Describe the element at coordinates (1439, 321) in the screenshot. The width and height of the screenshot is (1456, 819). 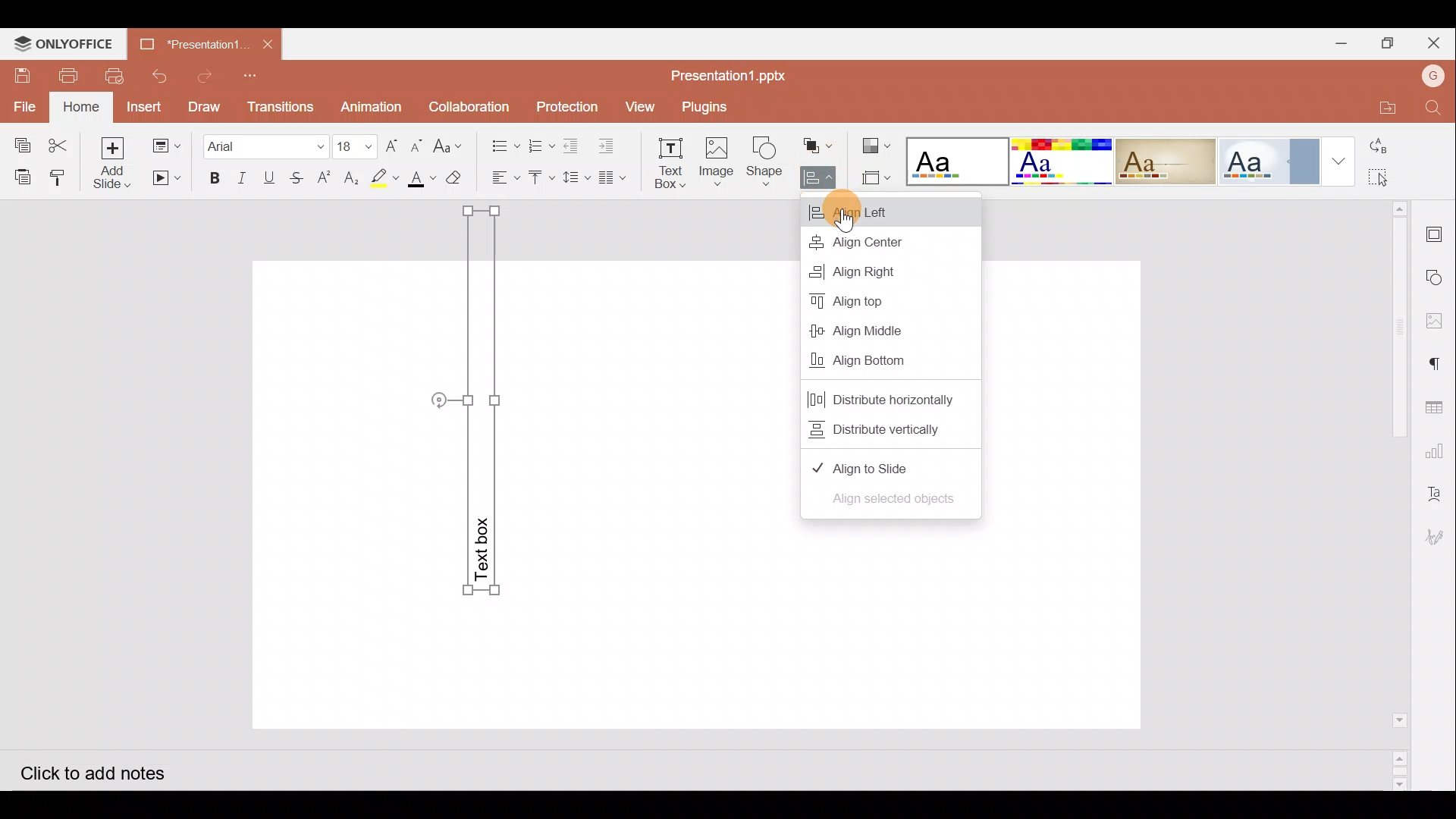
I see `Image settings` at that location.